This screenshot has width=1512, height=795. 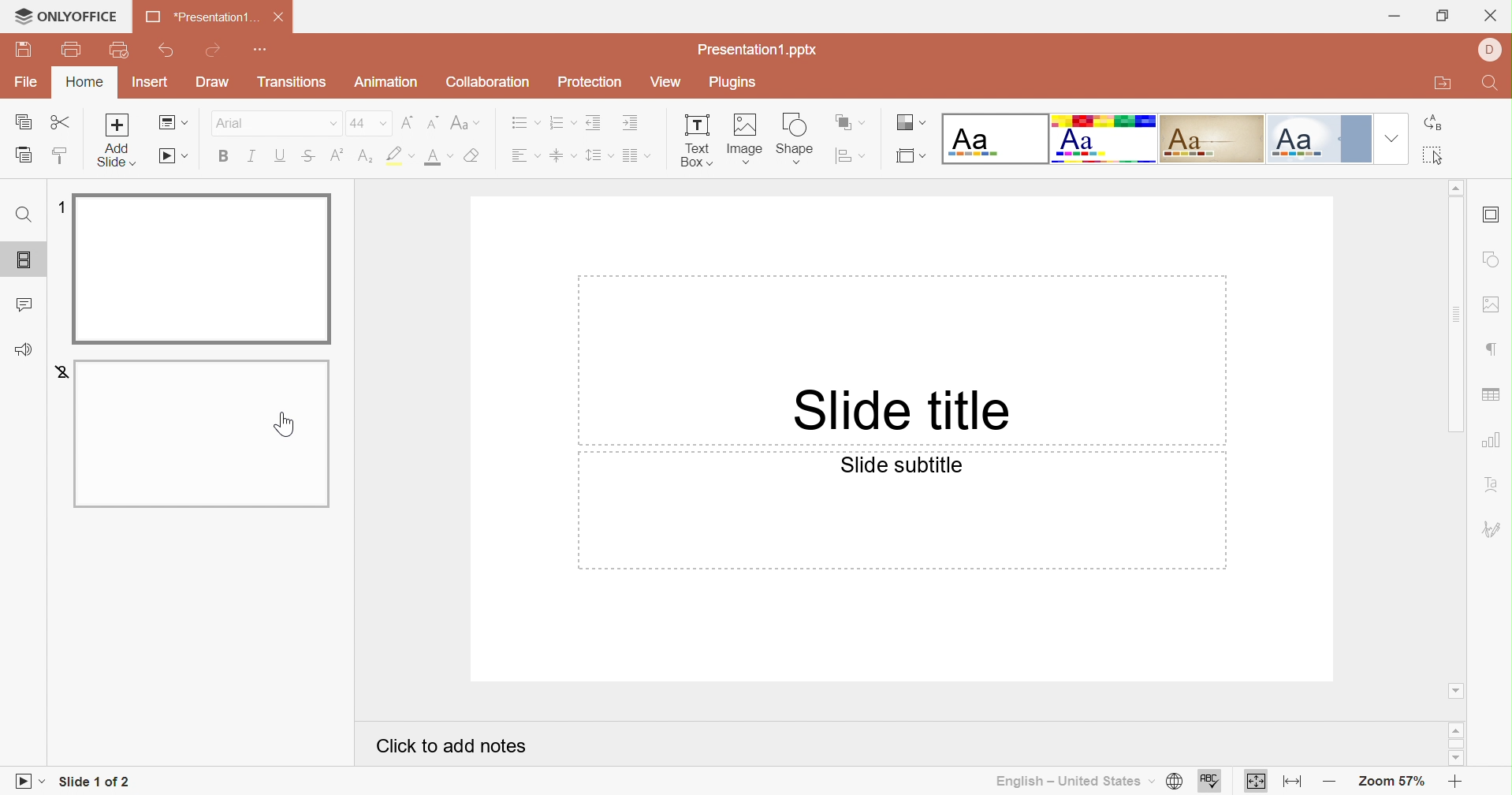 What do you see at coordinates (151, 82) in the screenshot?
I see `Insert` at bounding box center [151, 82].